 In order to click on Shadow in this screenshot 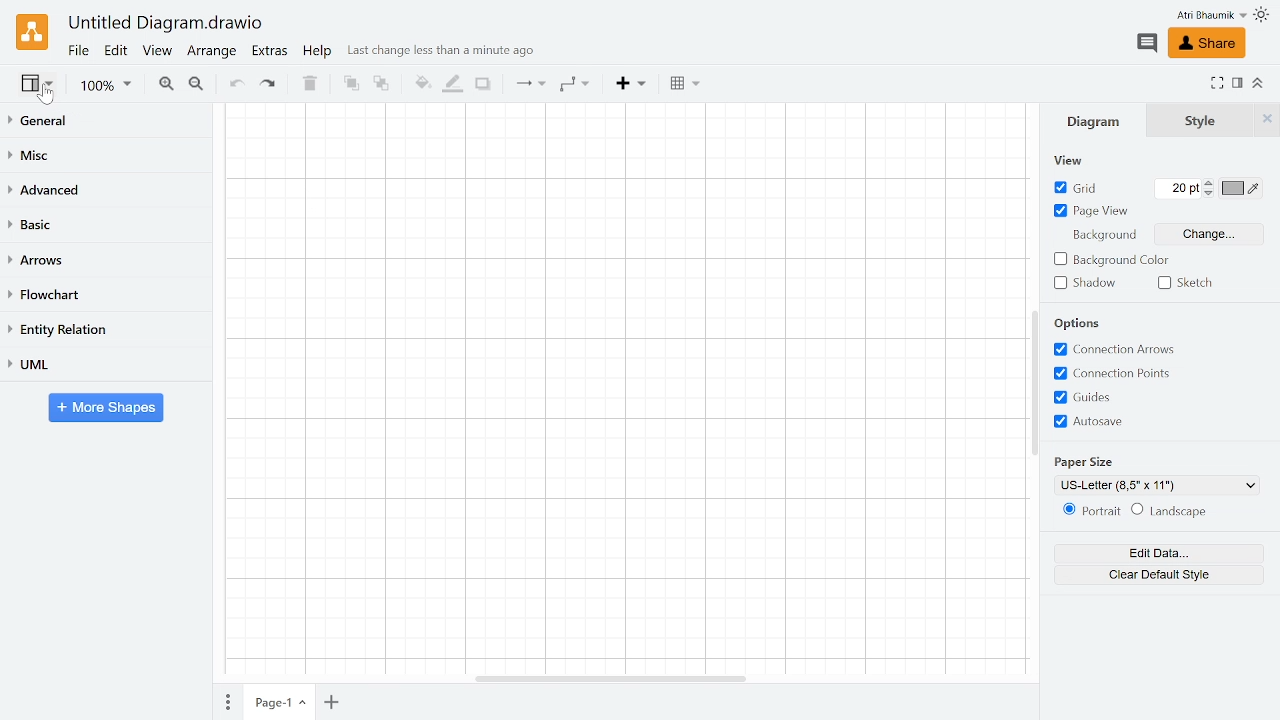, I will do `click(483, 85)`.